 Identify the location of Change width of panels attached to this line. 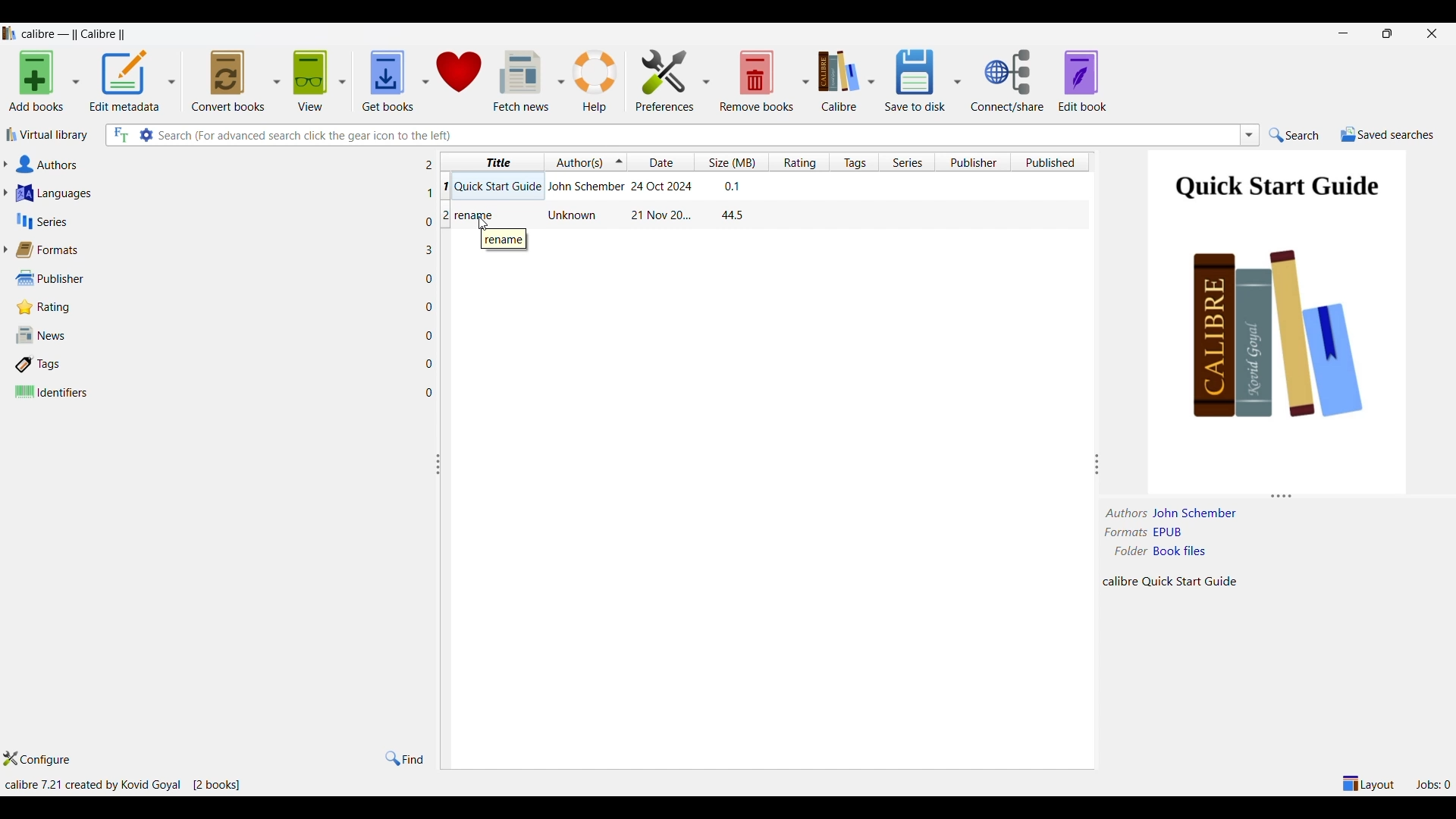
(1093, 455).